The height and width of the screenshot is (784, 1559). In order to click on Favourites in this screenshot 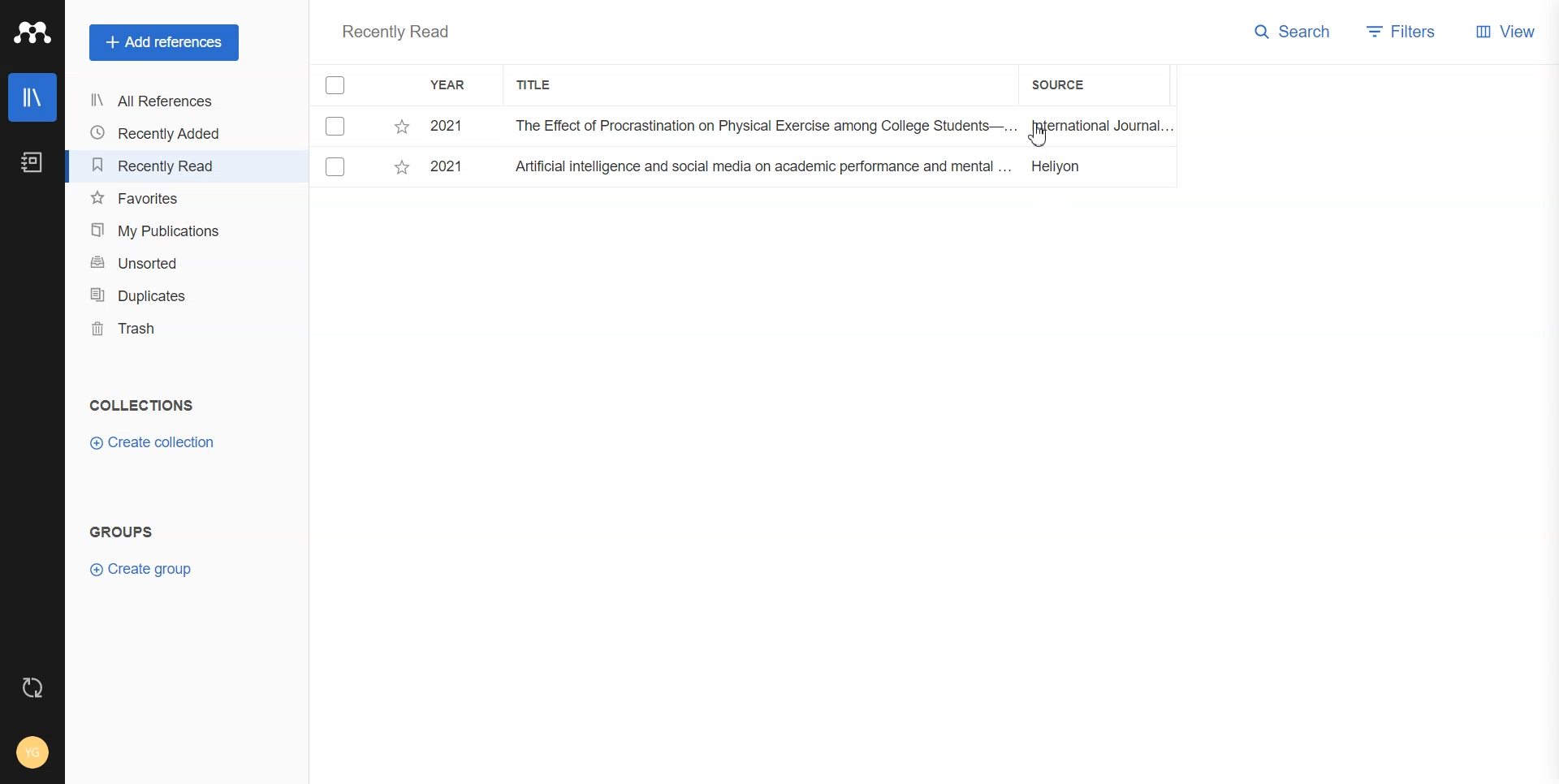, I will do `click(160, 199)`.